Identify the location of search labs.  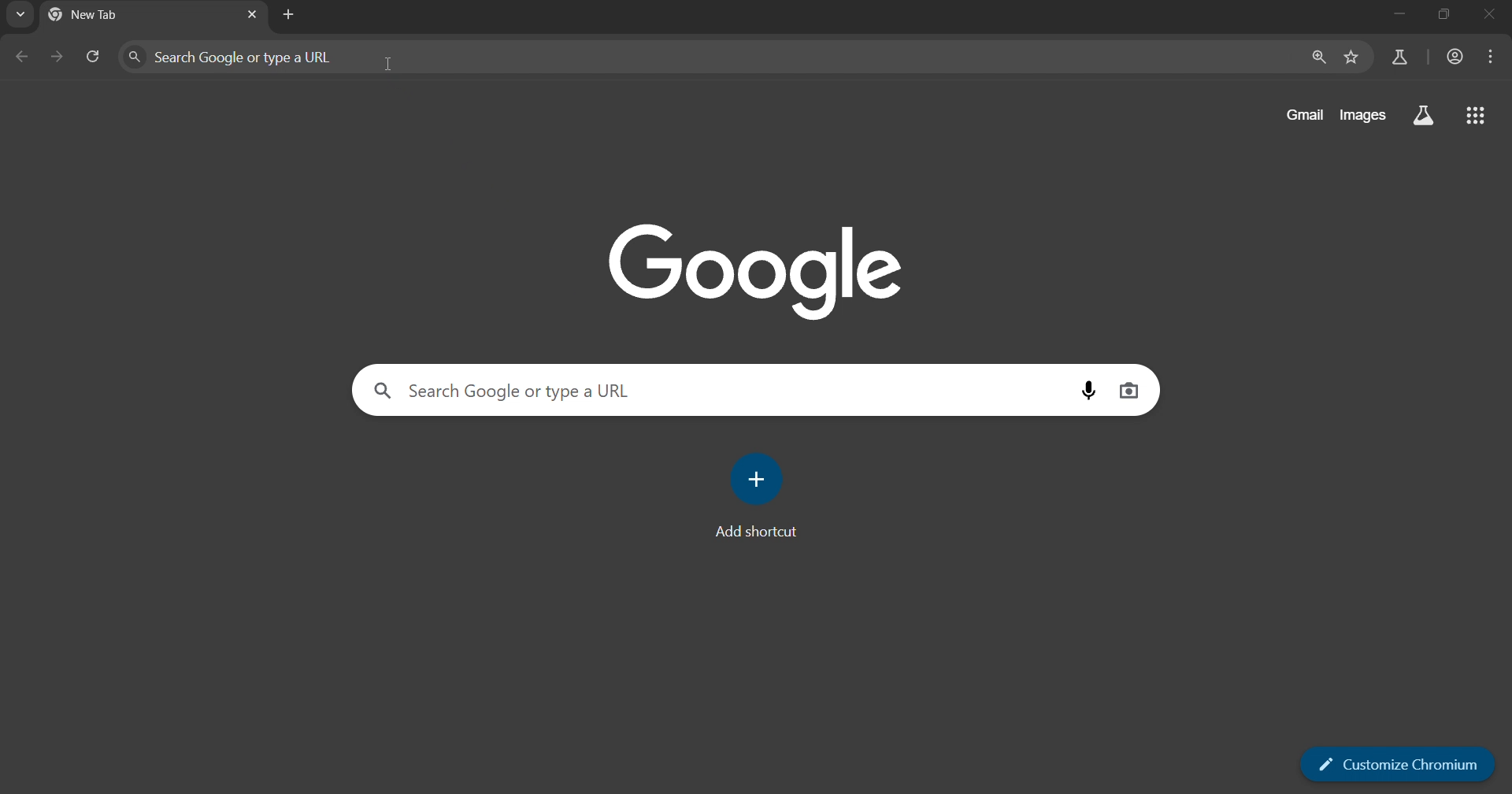
(1399, 57).